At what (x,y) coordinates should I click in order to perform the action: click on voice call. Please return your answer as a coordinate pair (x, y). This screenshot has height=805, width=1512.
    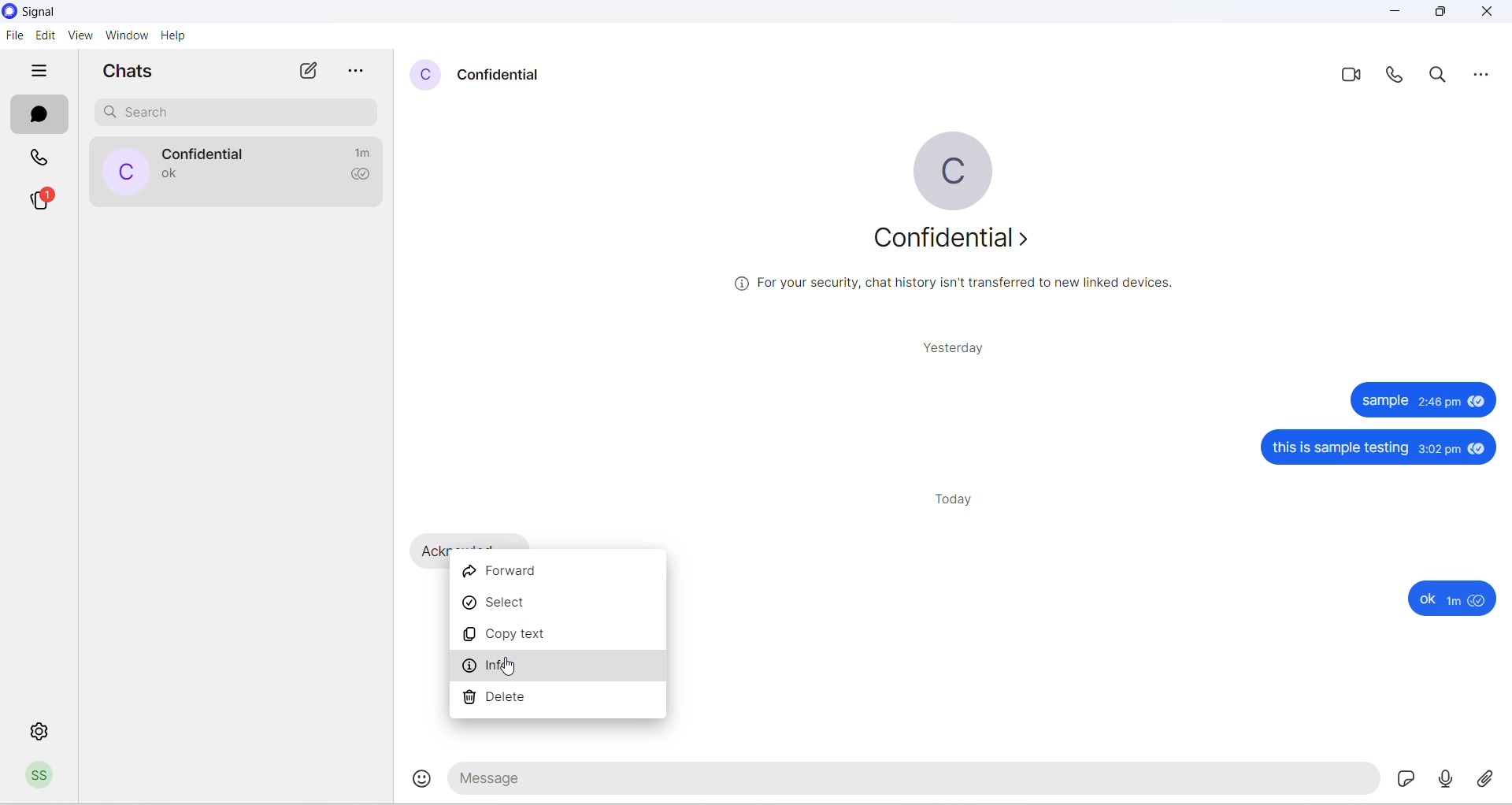
    Looking at the image, I should click on (1400, 80).